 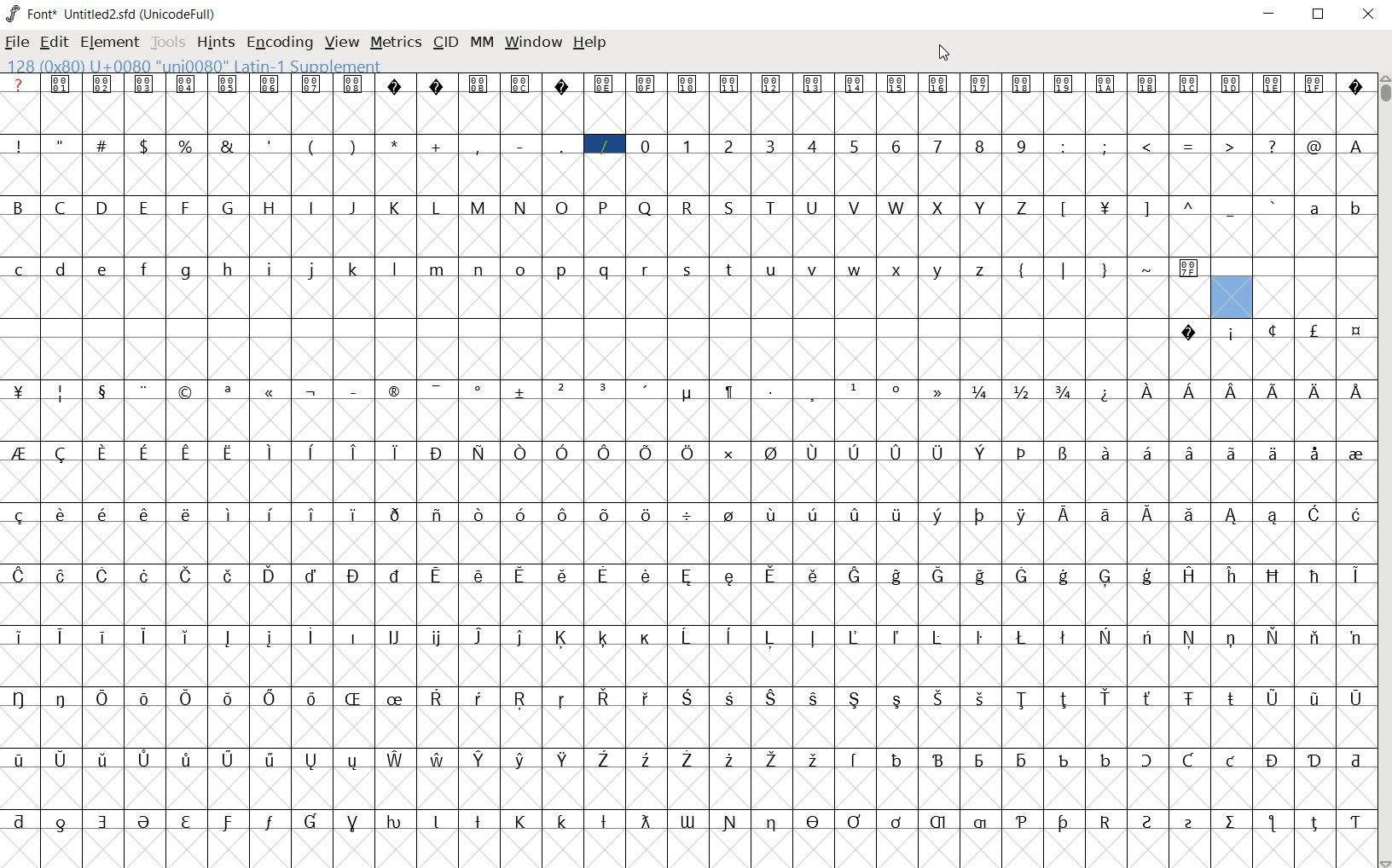 What do you see at coordinates (562, 208) in the screenshot?
I see `glyph` at bounding box center [562, 208].